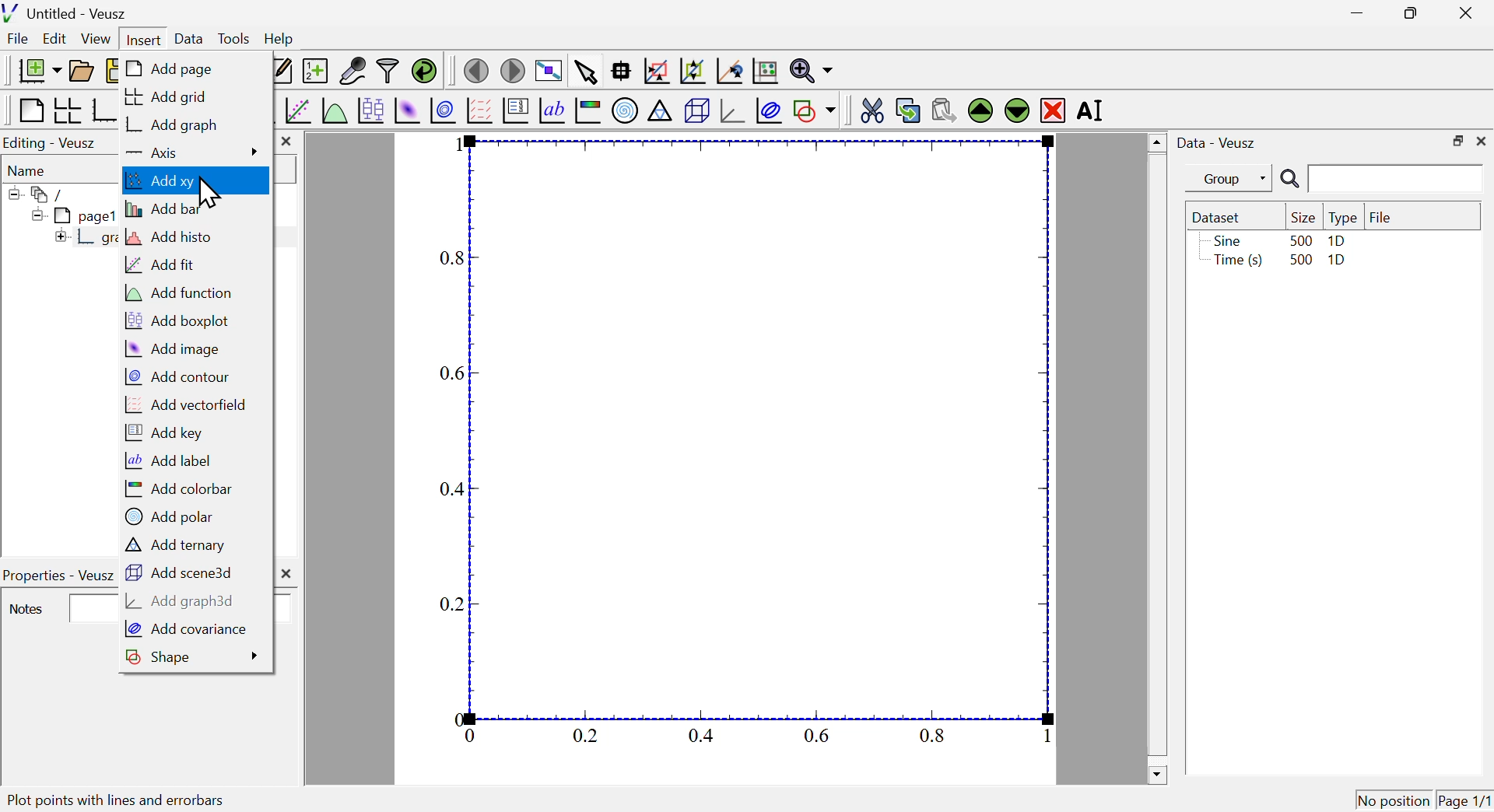 The width and height of the screenshot is (1494, 812). I want to click on maximize, so click(1455, 140).